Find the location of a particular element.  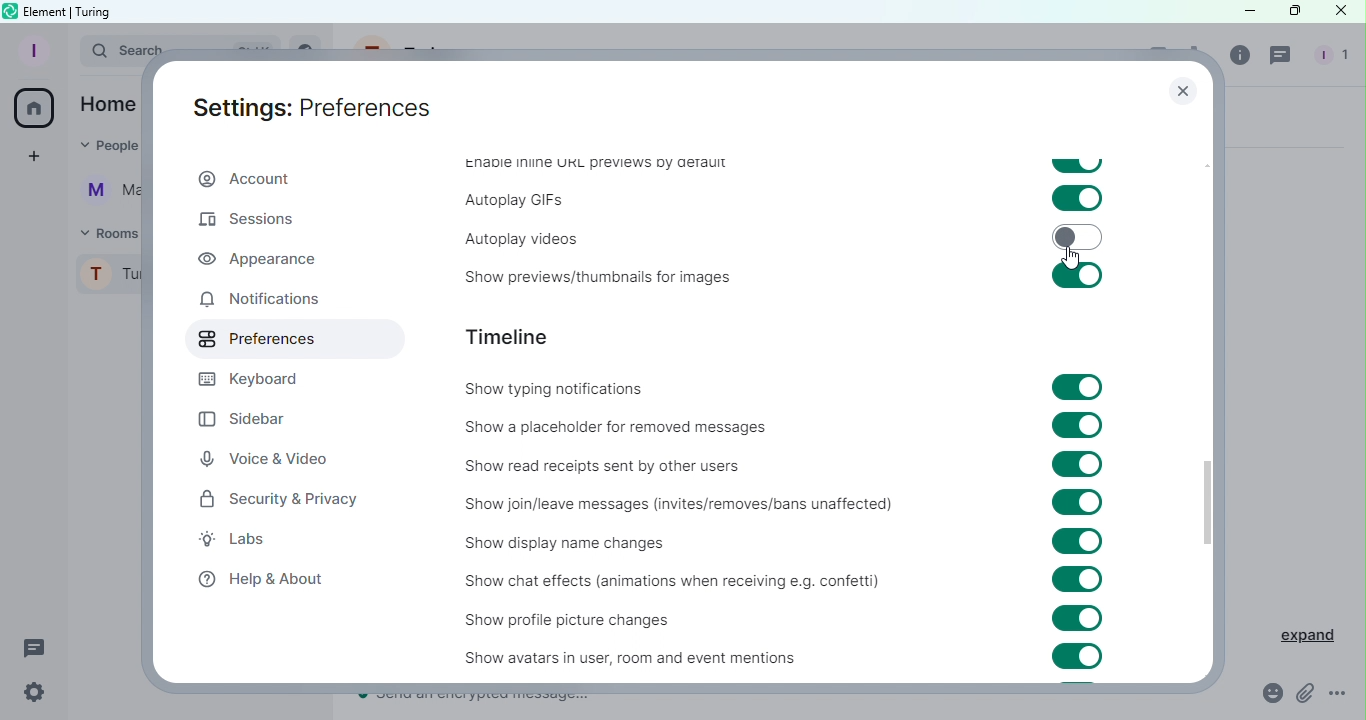

Show typing notifications is located at coordinates (570, 391).